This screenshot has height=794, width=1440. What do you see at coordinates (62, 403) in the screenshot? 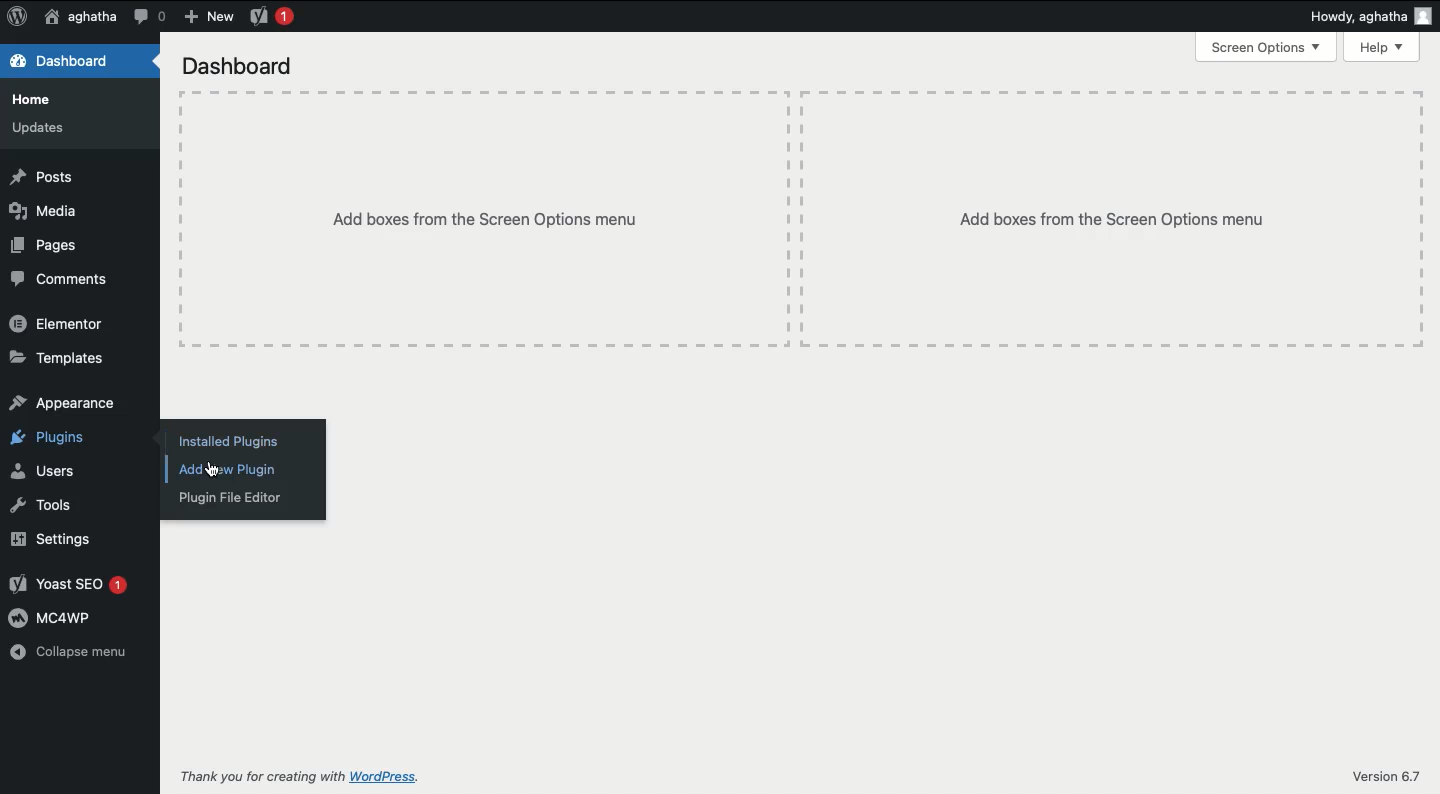
I see `Appearance` at bounding box center [62, 403].